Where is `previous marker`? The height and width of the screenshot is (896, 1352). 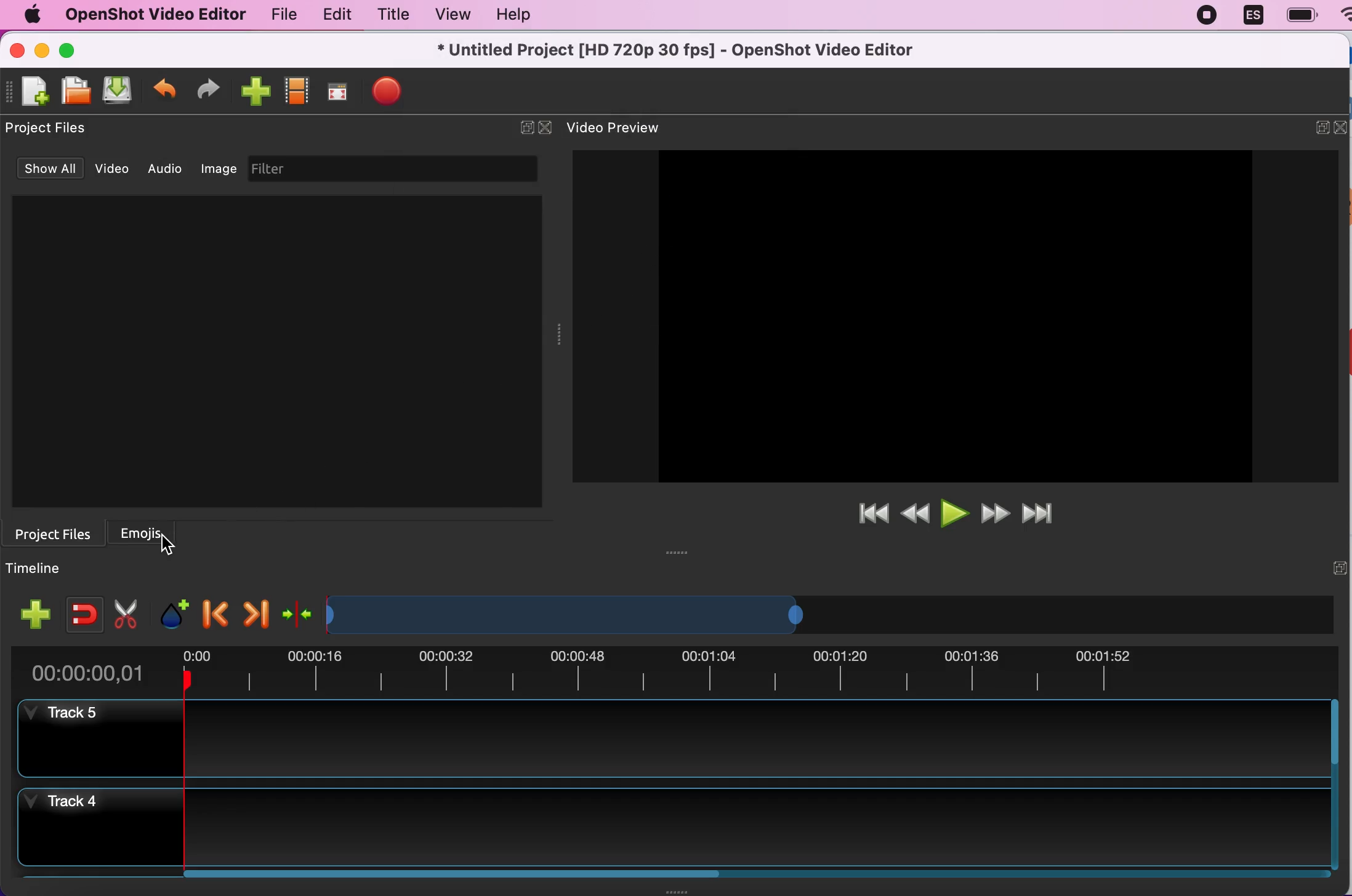 previous marker is located at coordinates (216, 610).